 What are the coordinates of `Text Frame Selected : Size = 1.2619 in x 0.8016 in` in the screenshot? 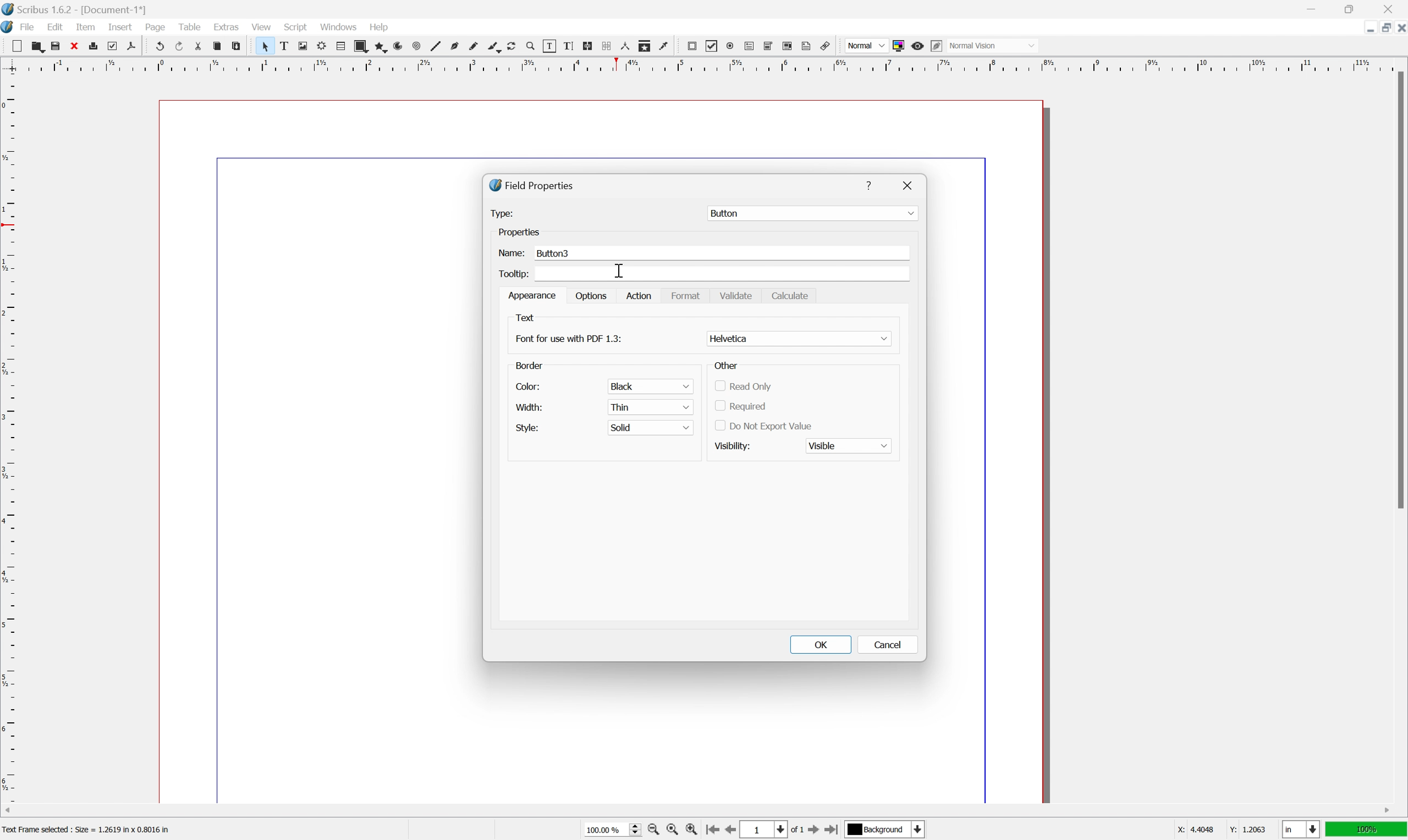 It's located at (102, 828).